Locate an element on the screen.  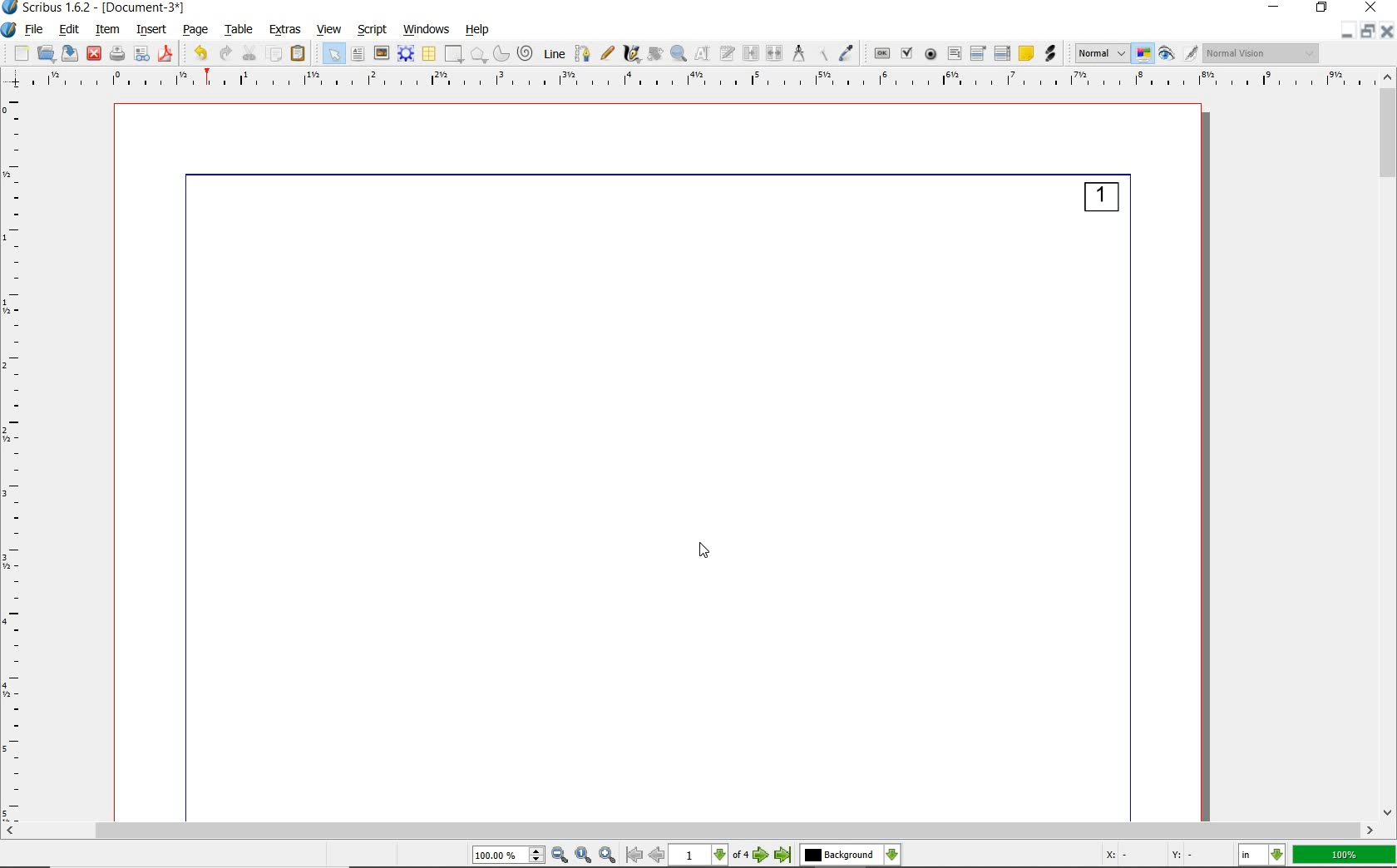
pdf combo box is located at coordinates (979, 52).